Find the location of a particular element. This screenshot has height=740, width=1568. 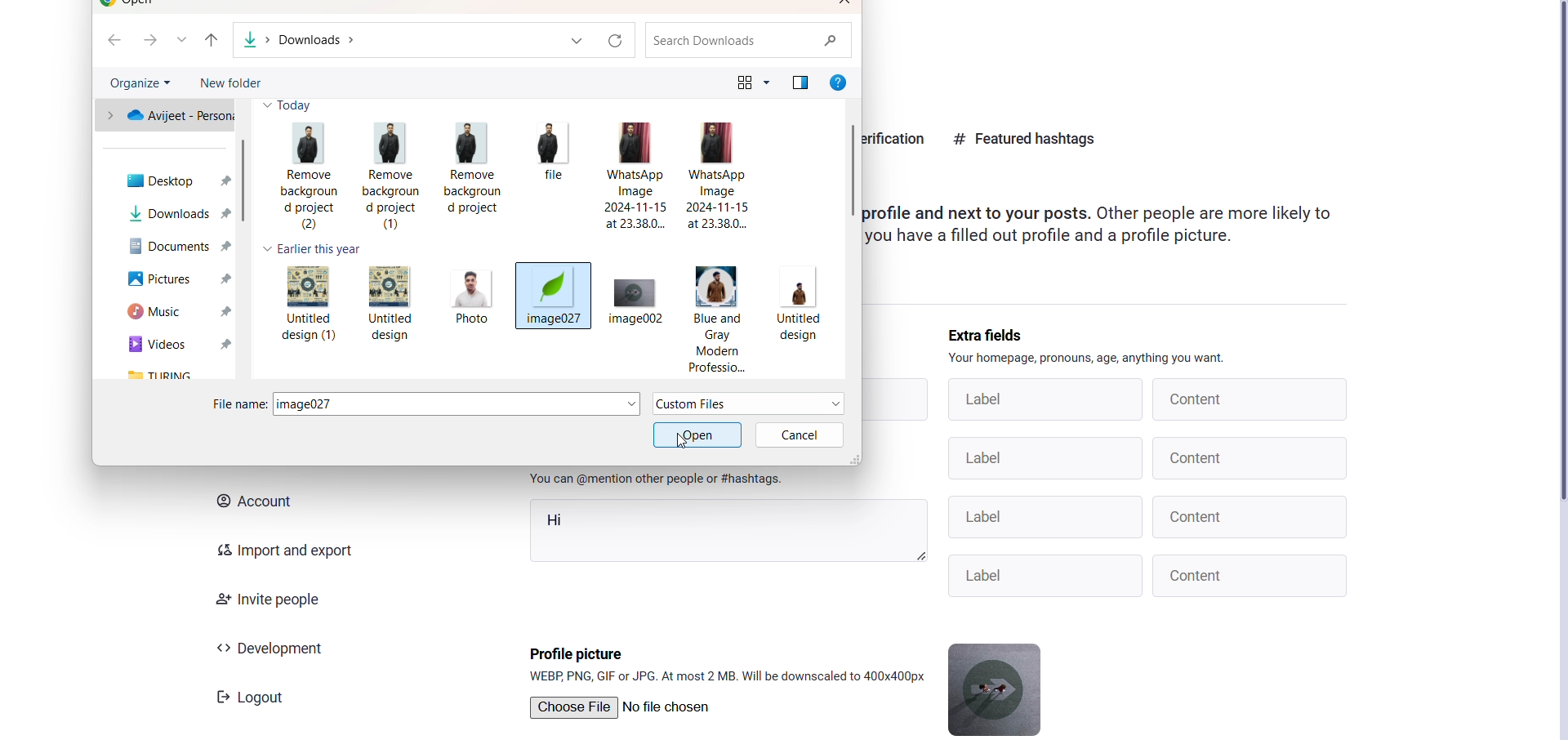

previous is located at coordinates (212, 40).